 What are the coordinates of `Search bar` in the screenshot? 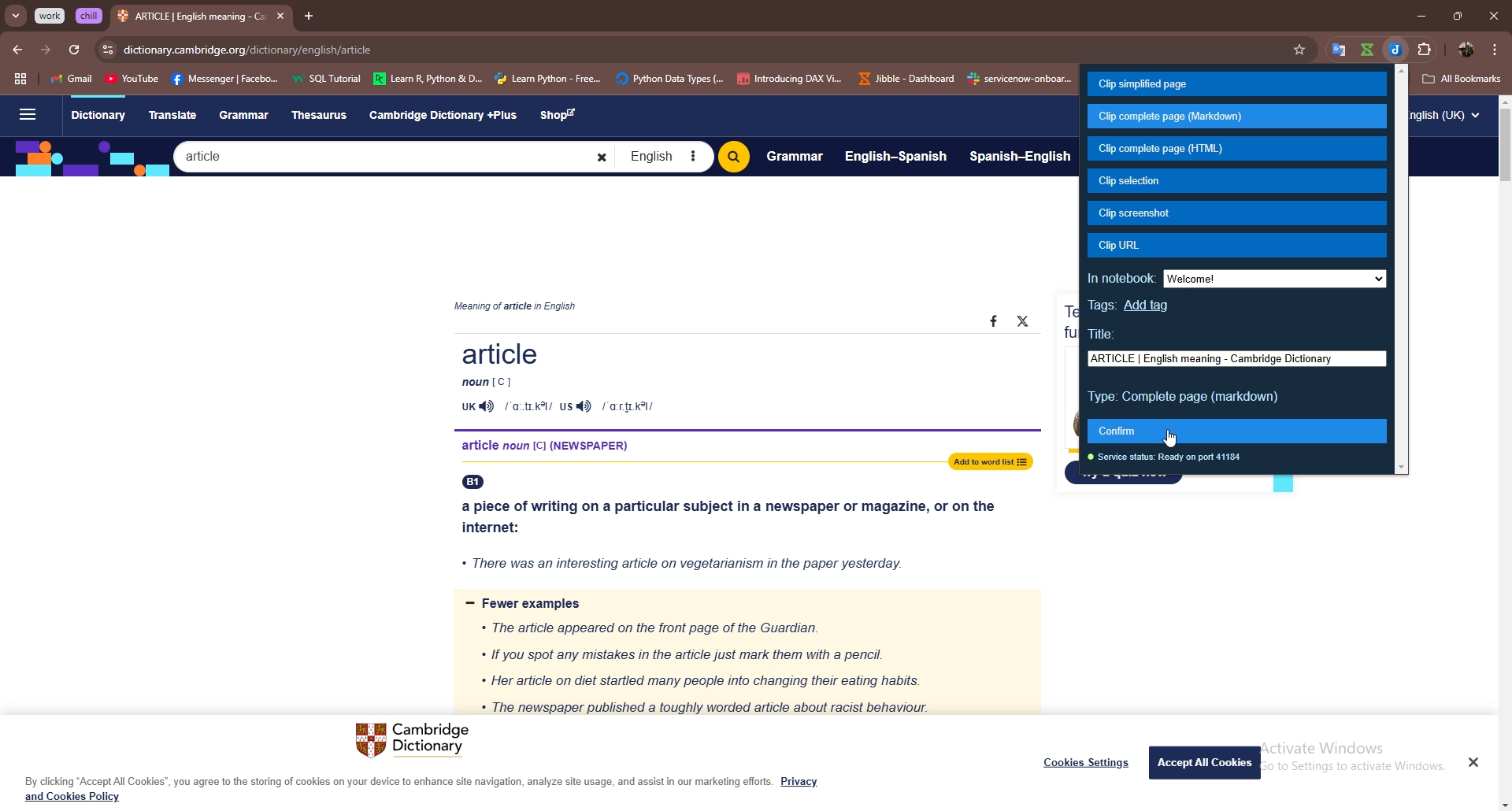 It's located at (394, 156).